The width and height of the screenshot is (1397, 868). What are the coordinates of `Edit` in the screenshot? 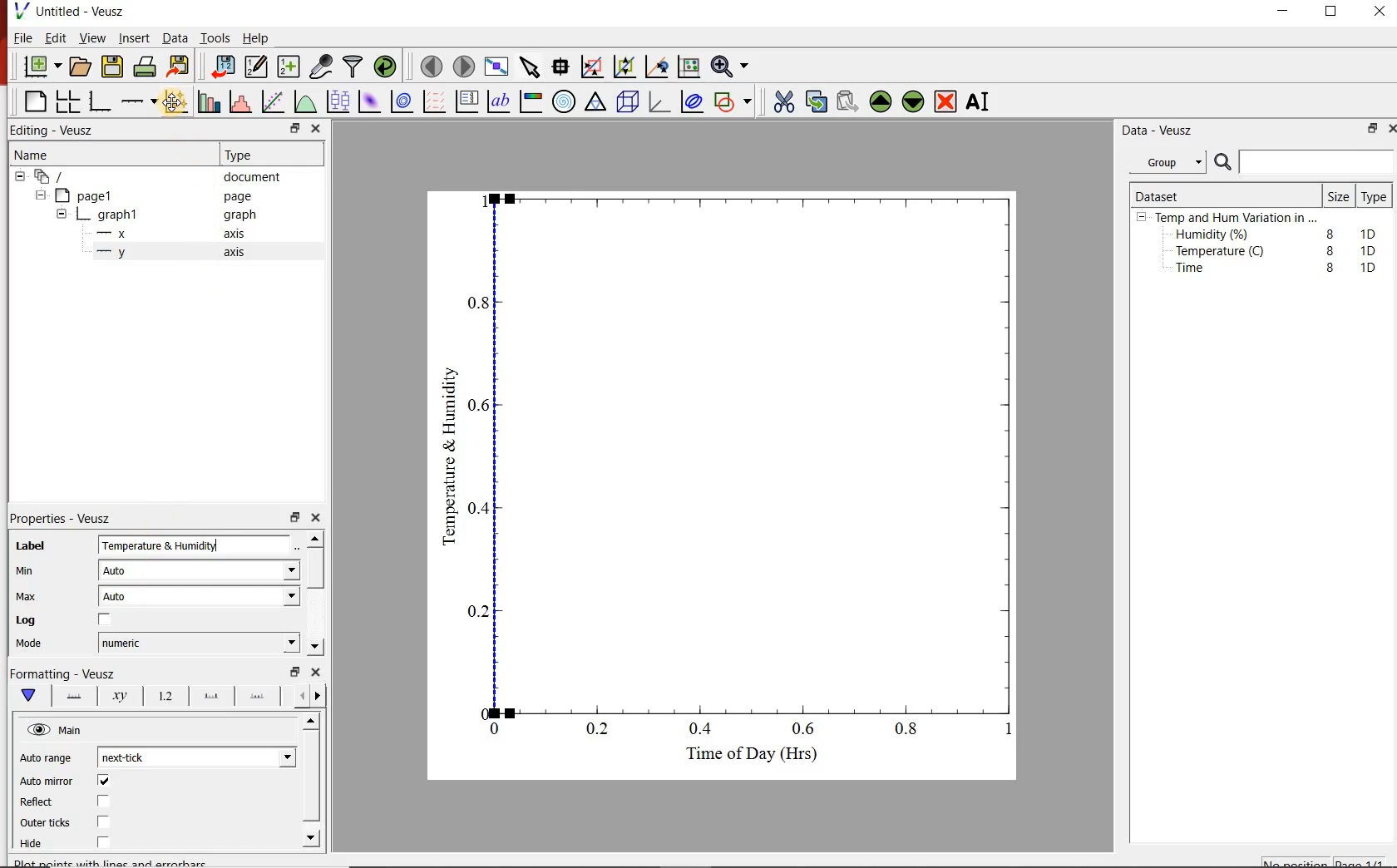 It's located at (56, 40).